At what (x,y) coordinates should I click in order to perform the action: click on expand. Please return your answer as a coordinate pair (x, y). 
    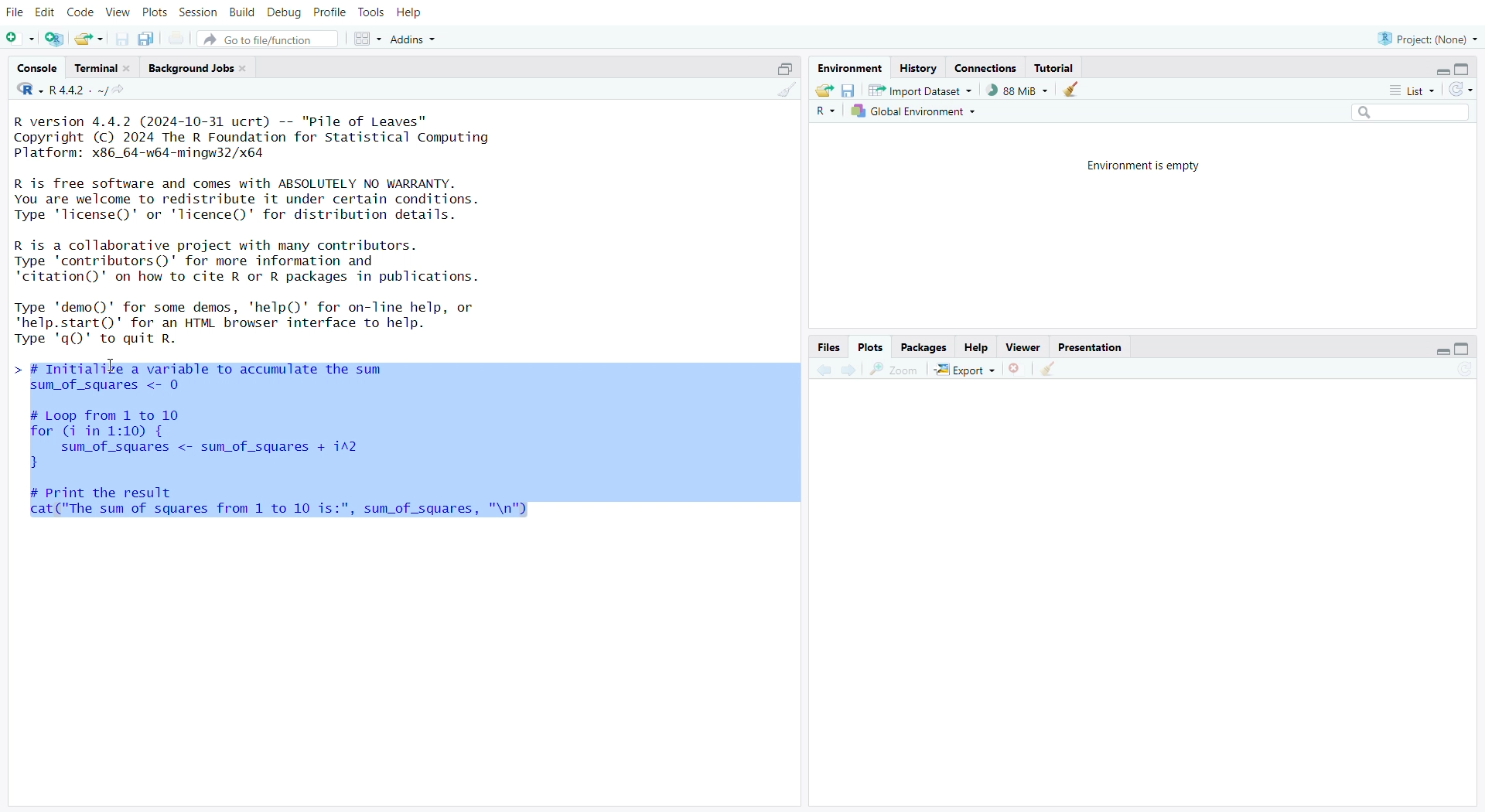
    Looking at the image, I should click on (1439, 70).